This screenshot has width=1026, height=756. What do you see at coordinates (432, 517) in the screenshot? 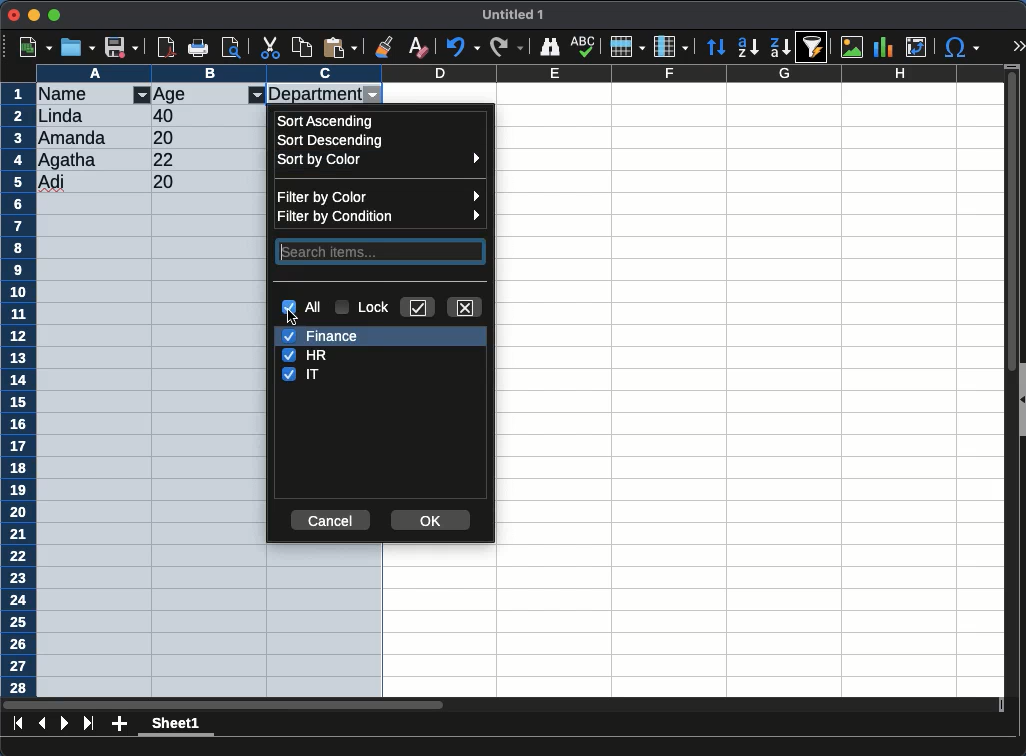
I see `ok` at bounding box center [432, 517].